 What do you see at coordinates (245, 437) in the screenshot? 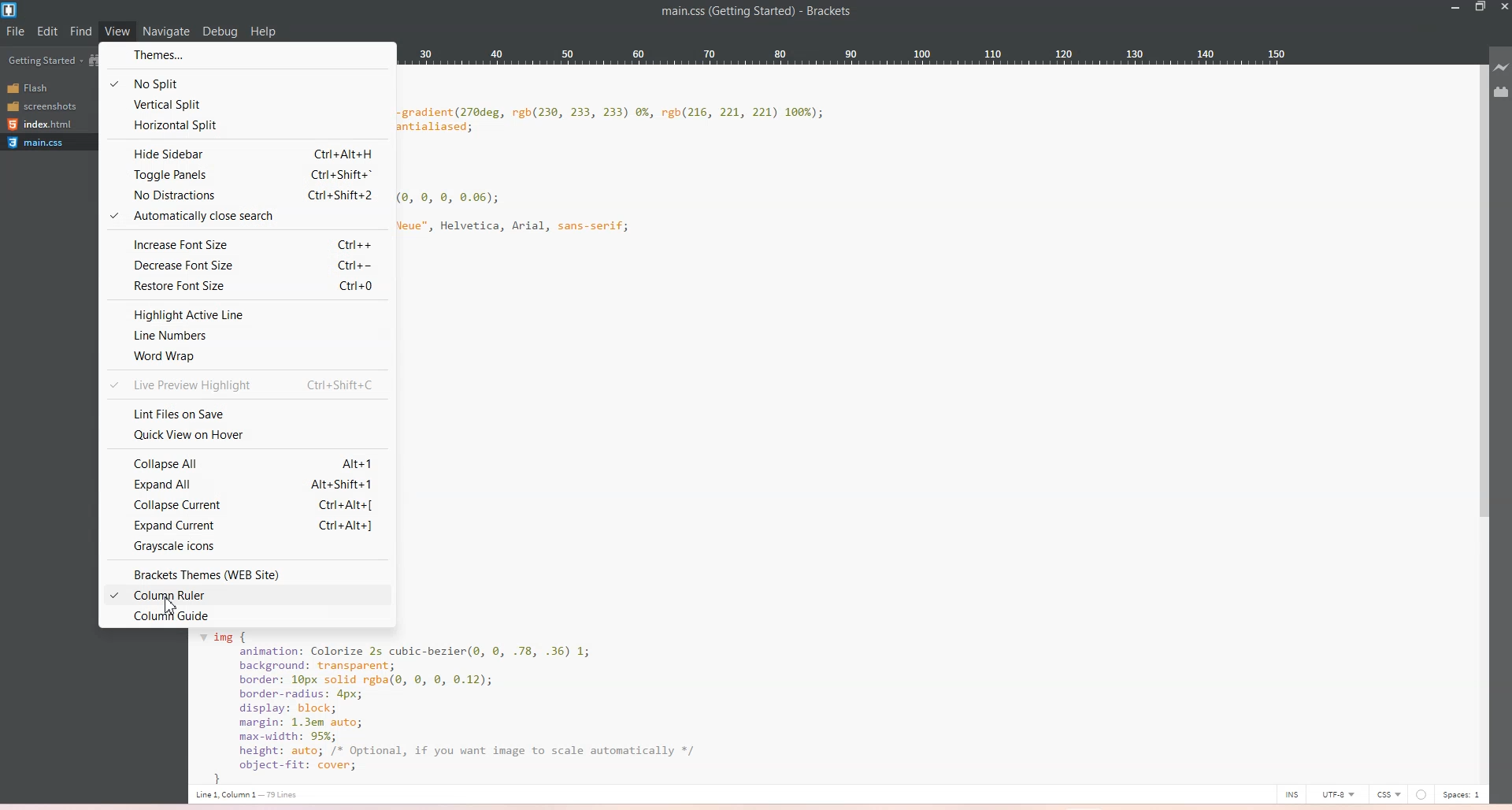
I see `Quick View on Hover` at bounding box center [245, 437].